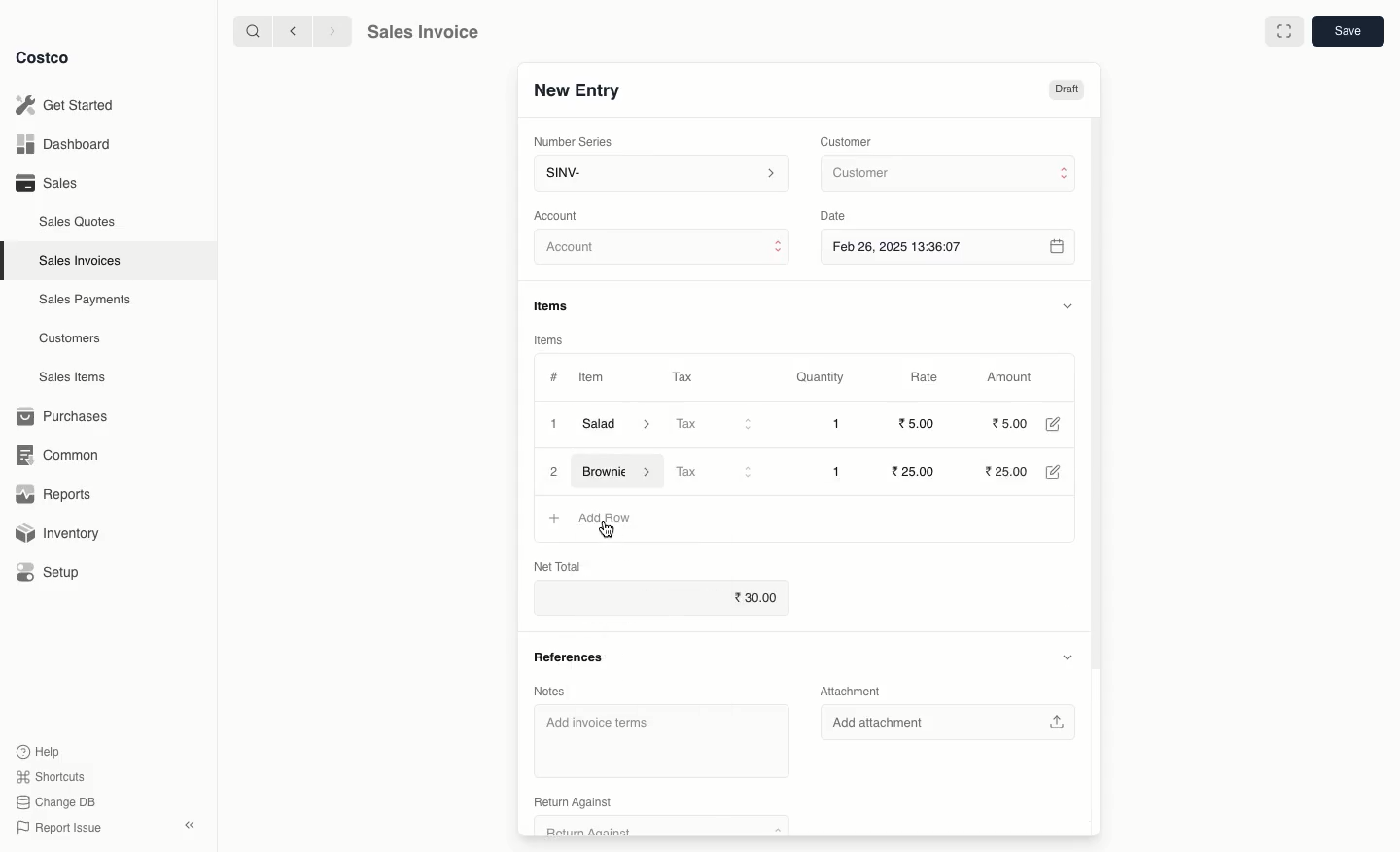  Describe the element at coordinates (554, 375) in the screenshot. I see `#` at that location.